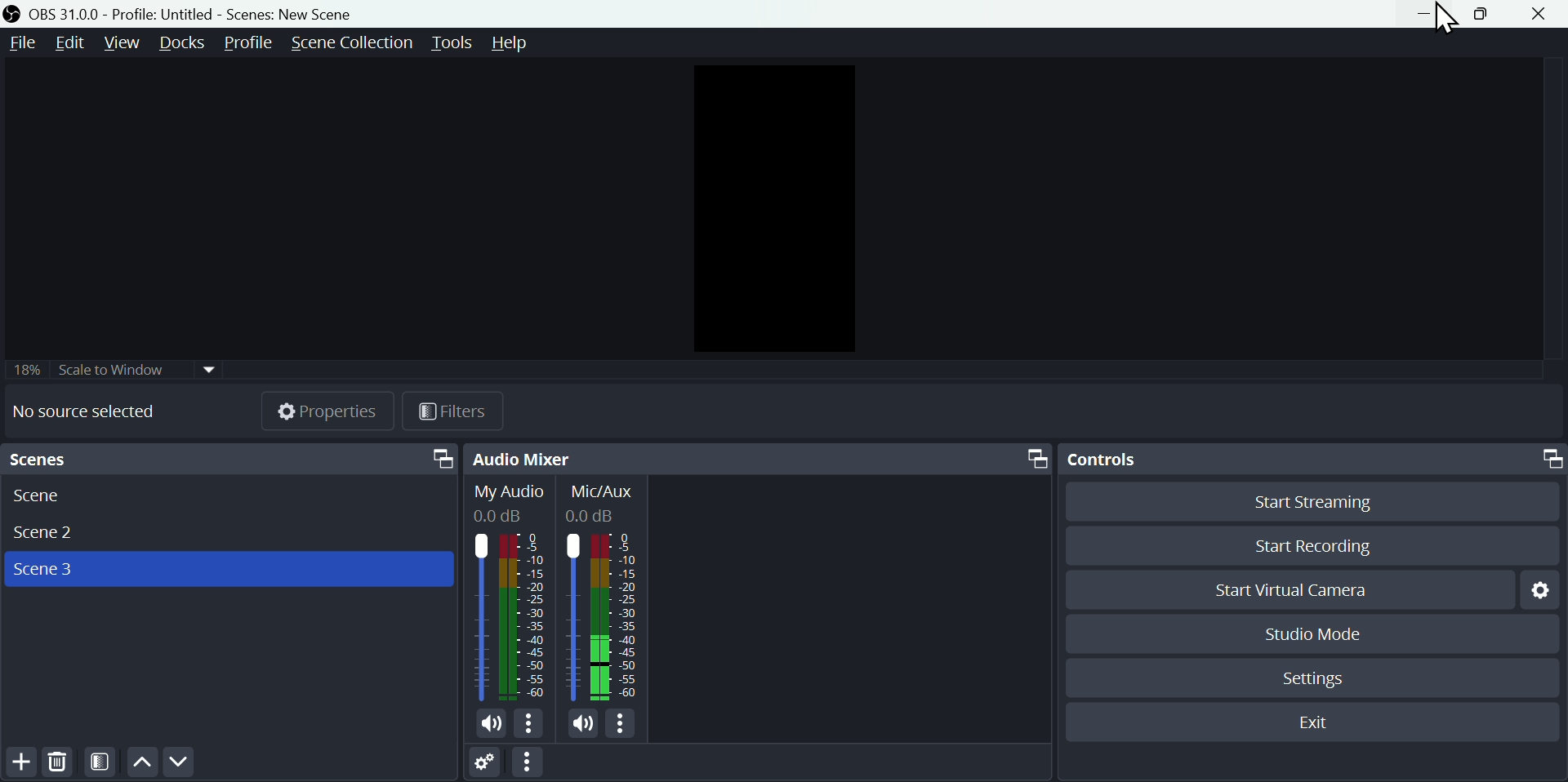  I want to click on , so click(1424, 13).